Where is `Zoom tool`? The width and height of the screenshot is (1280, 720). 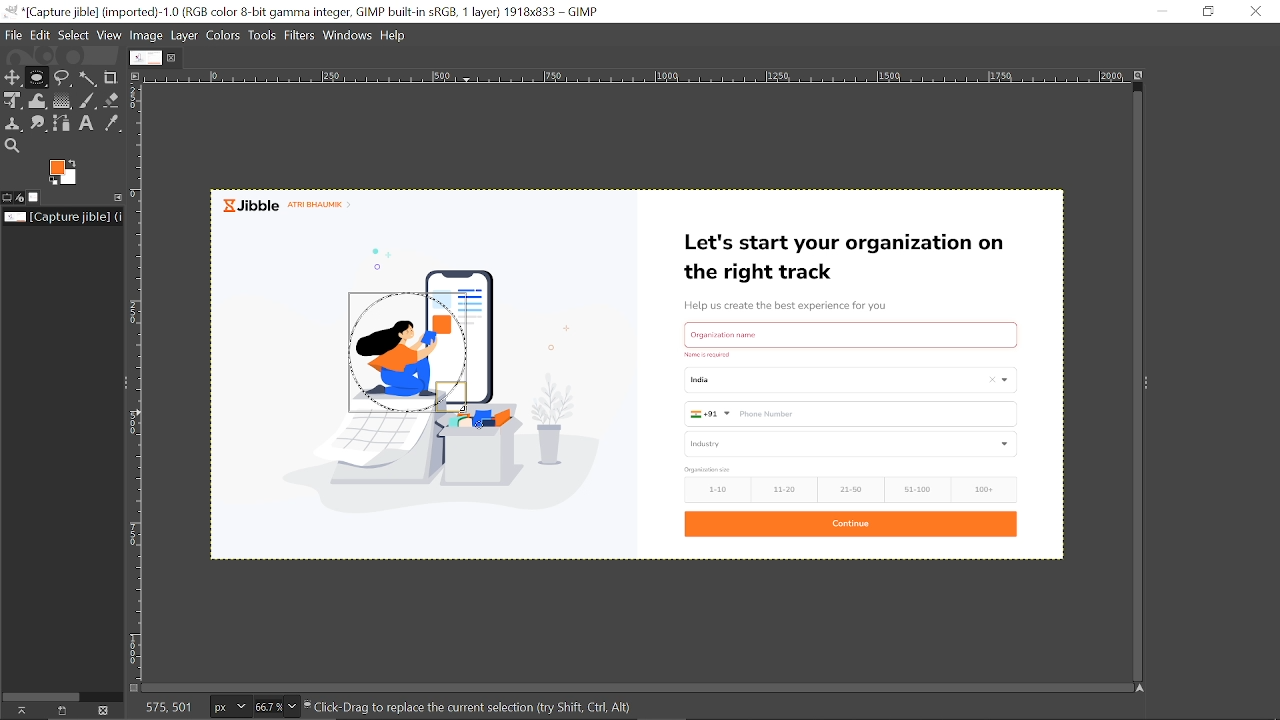
Zoom tool is located at coordinates (11, 145).